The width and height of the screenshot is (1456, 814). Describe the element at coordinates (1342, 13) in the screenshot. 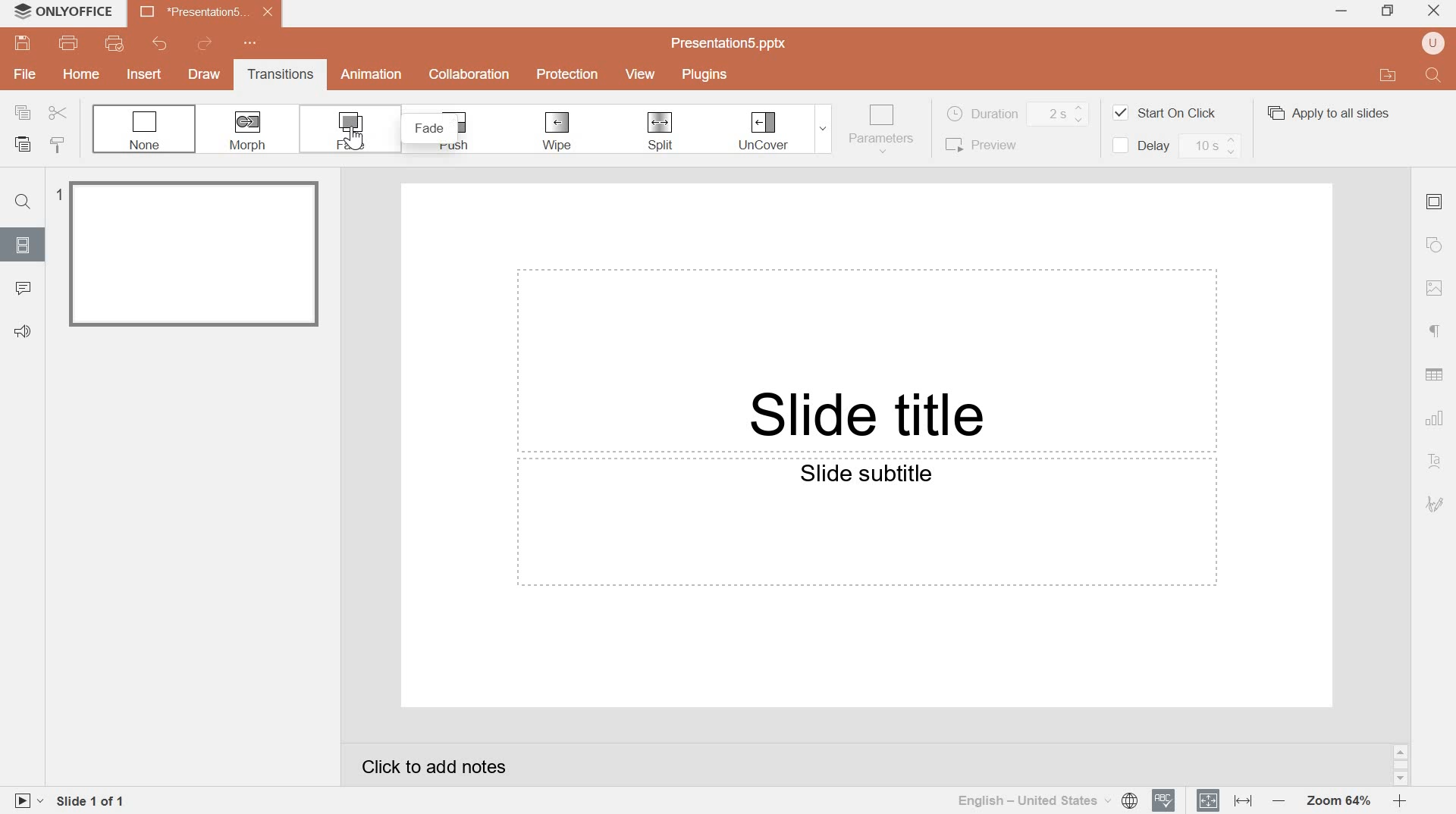

I see `MINIMIZE` at that location.